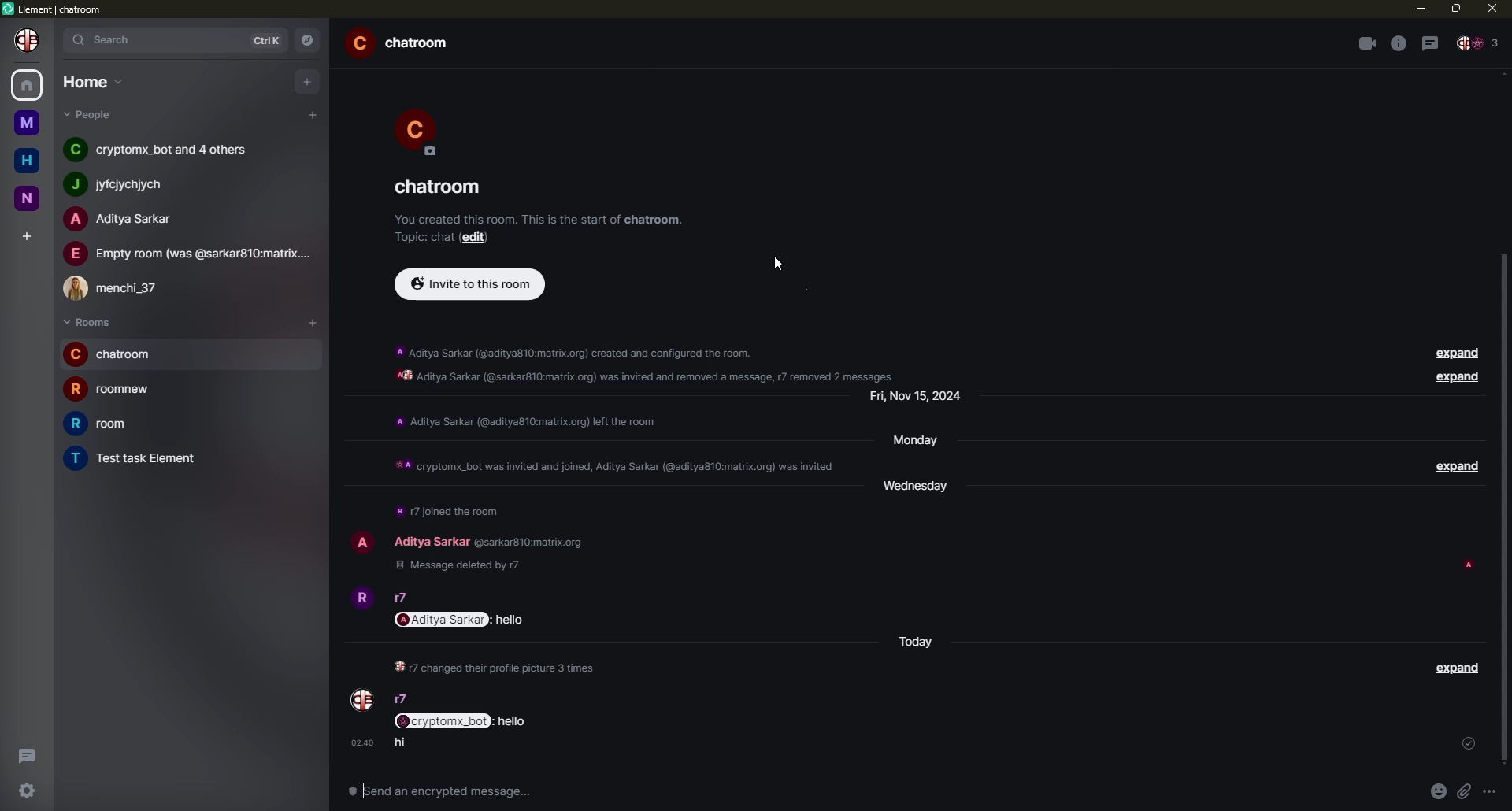  Describe the element at coordinates (114, 390) in the screenshot. I see `room` at that location.